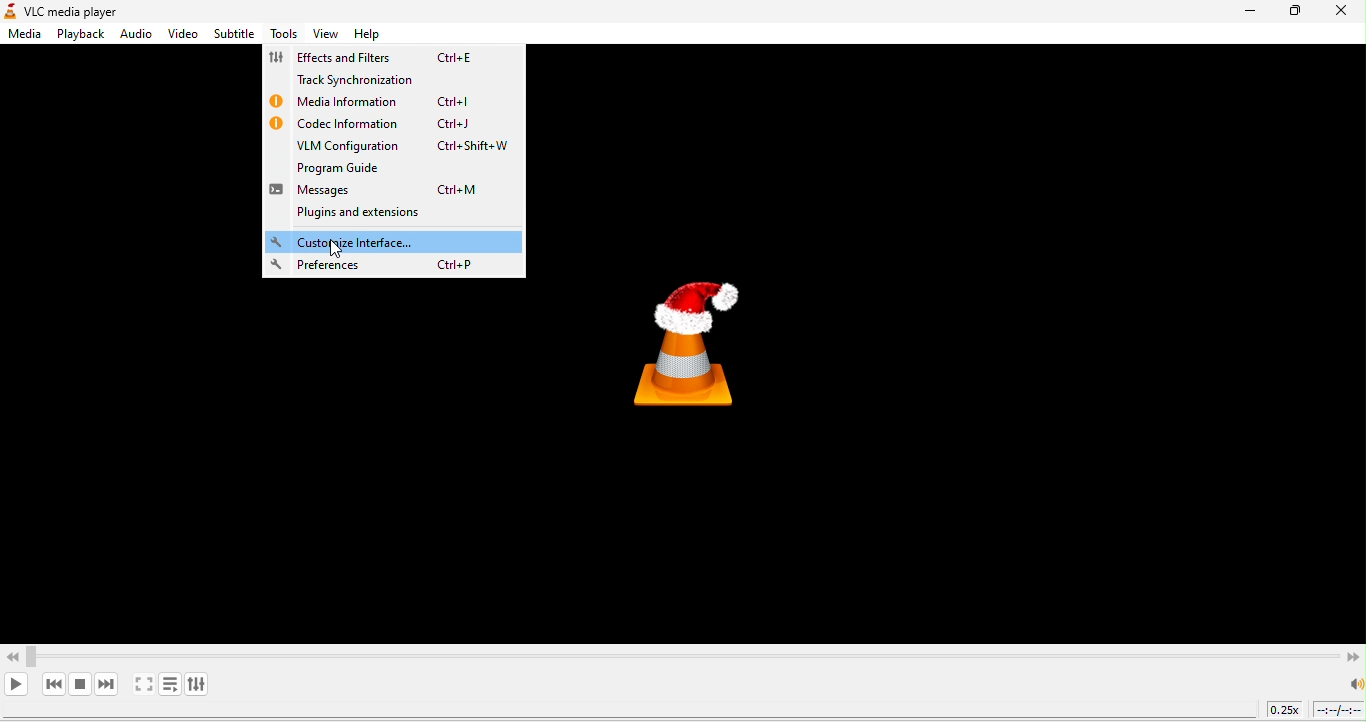 Image resolution: width=1366 pixels, height=722 pixels. Describe the element at coordinates (145, 685) in the screenshot. I see `video in full screen` at that location.